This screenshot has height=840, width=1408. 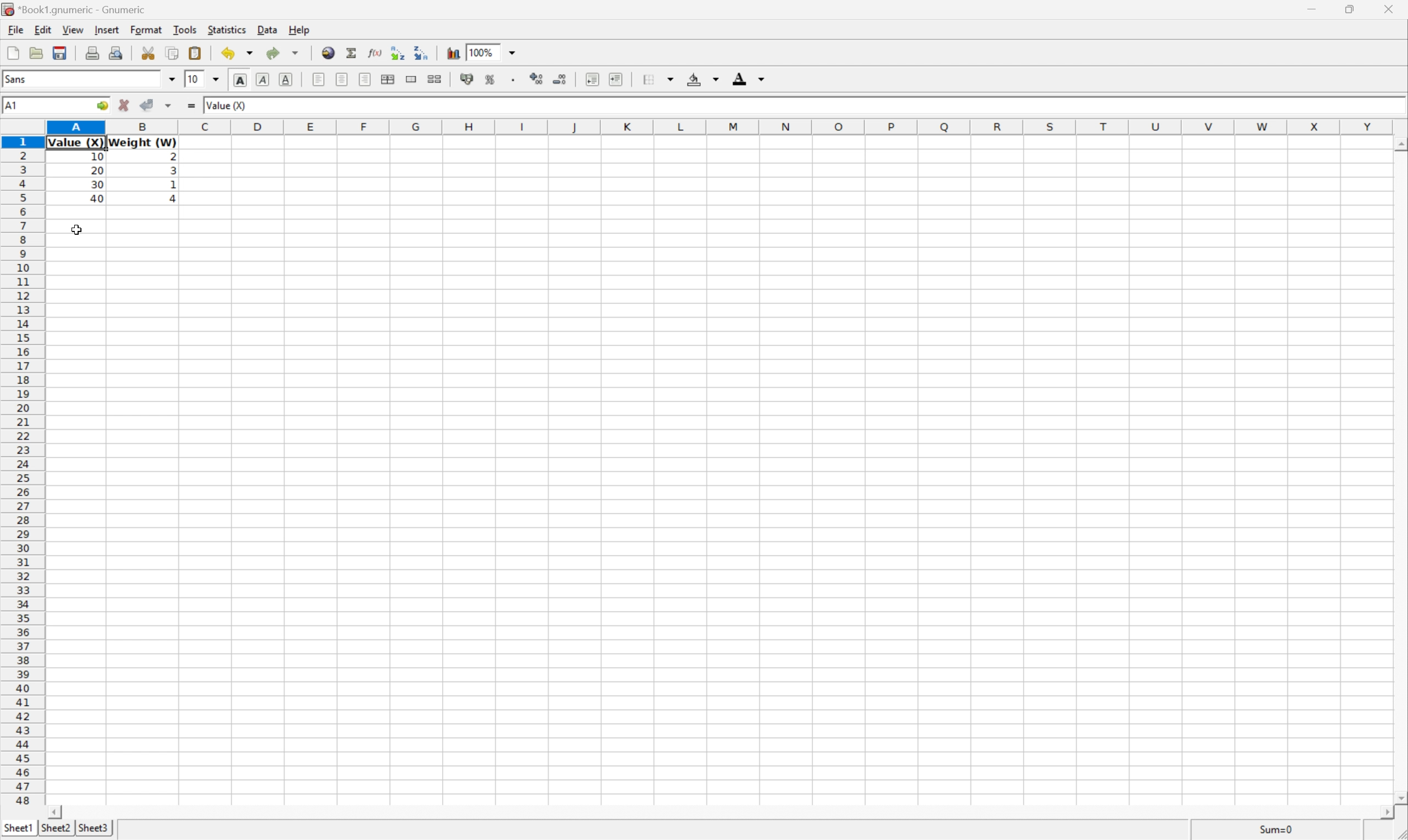 I want to click on Borders, so click(x=657, y=77).